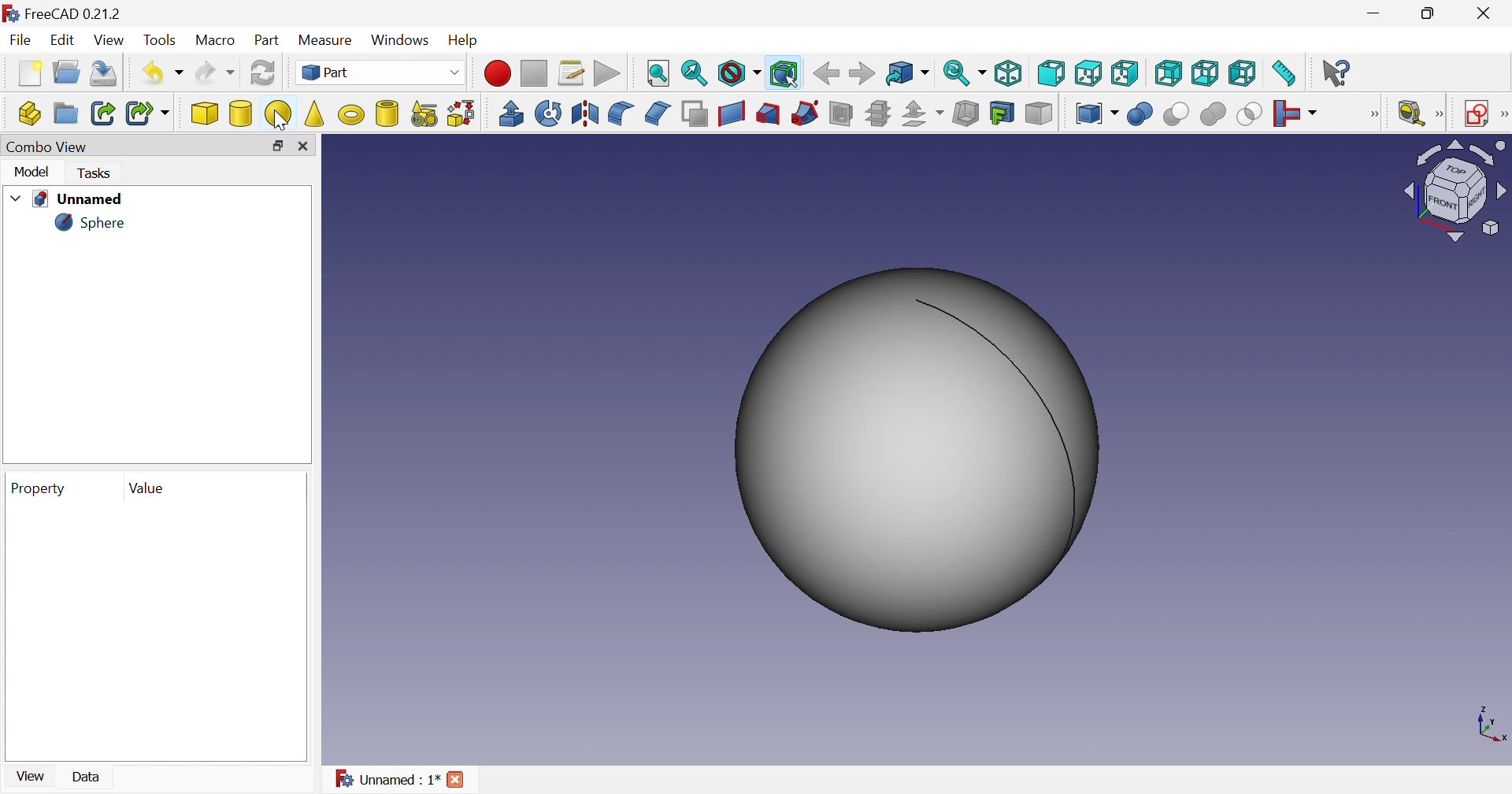  What do you see at coordinates (1002, 113) in the screenshot?
I see `Create projection on surface` at bounding box center [1002, 113].